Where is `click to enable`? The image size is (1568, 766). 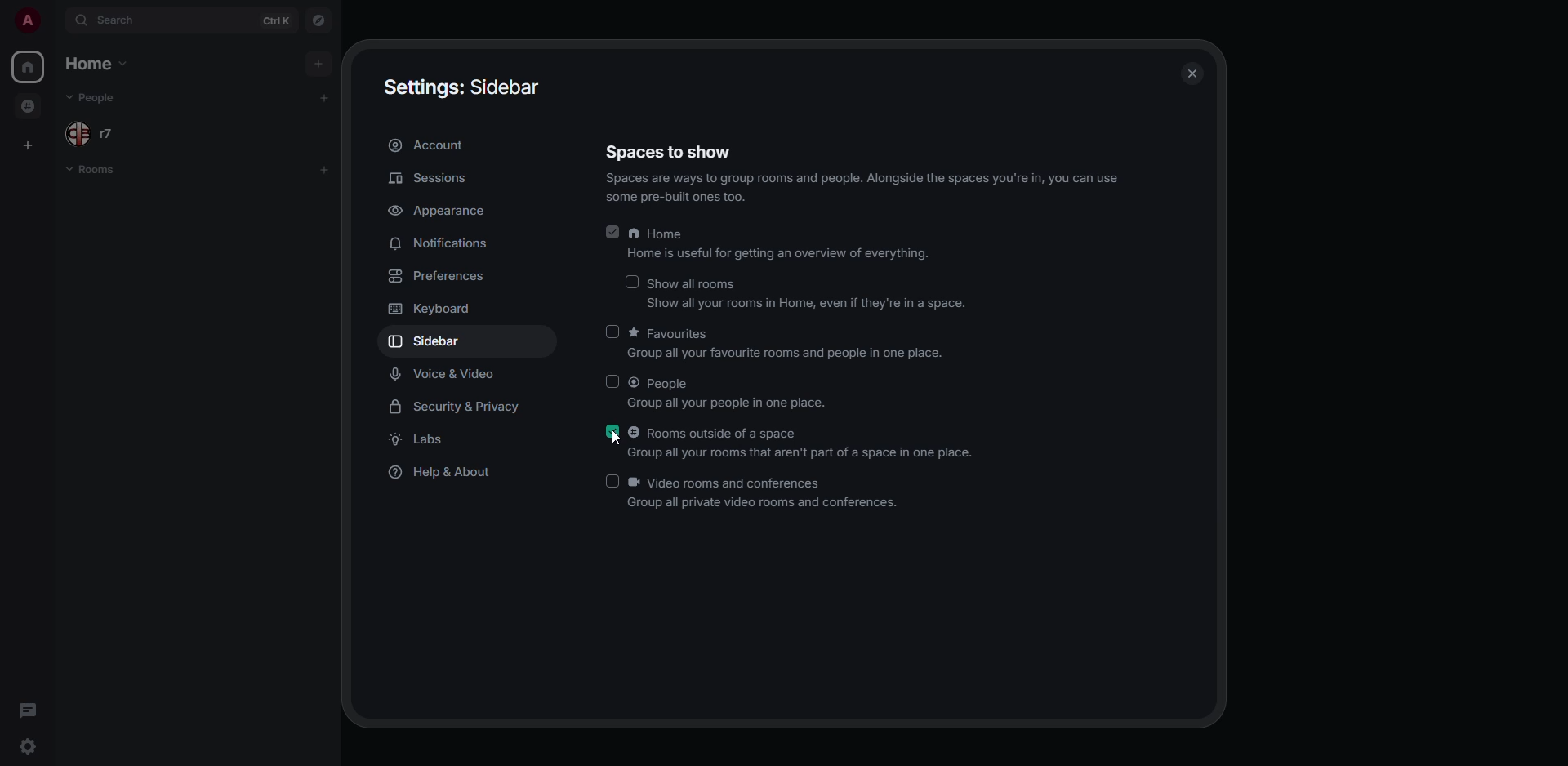
click to enable is located at coordinates (611, 330).